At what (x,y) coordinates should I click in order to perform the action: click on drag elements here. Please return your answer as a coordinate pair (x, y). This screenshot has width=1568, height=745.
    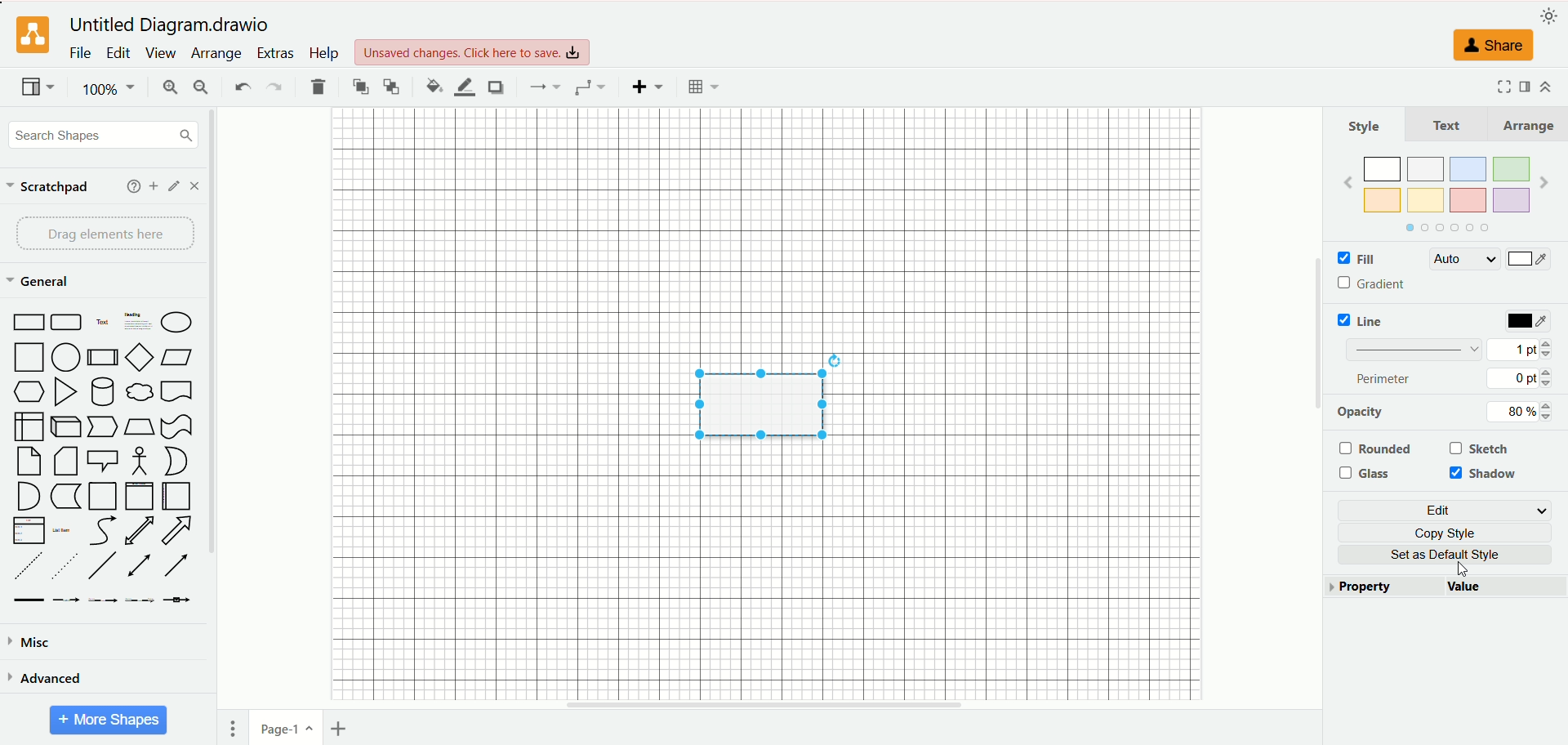
    Looking at the image, I should click on (107, 234).